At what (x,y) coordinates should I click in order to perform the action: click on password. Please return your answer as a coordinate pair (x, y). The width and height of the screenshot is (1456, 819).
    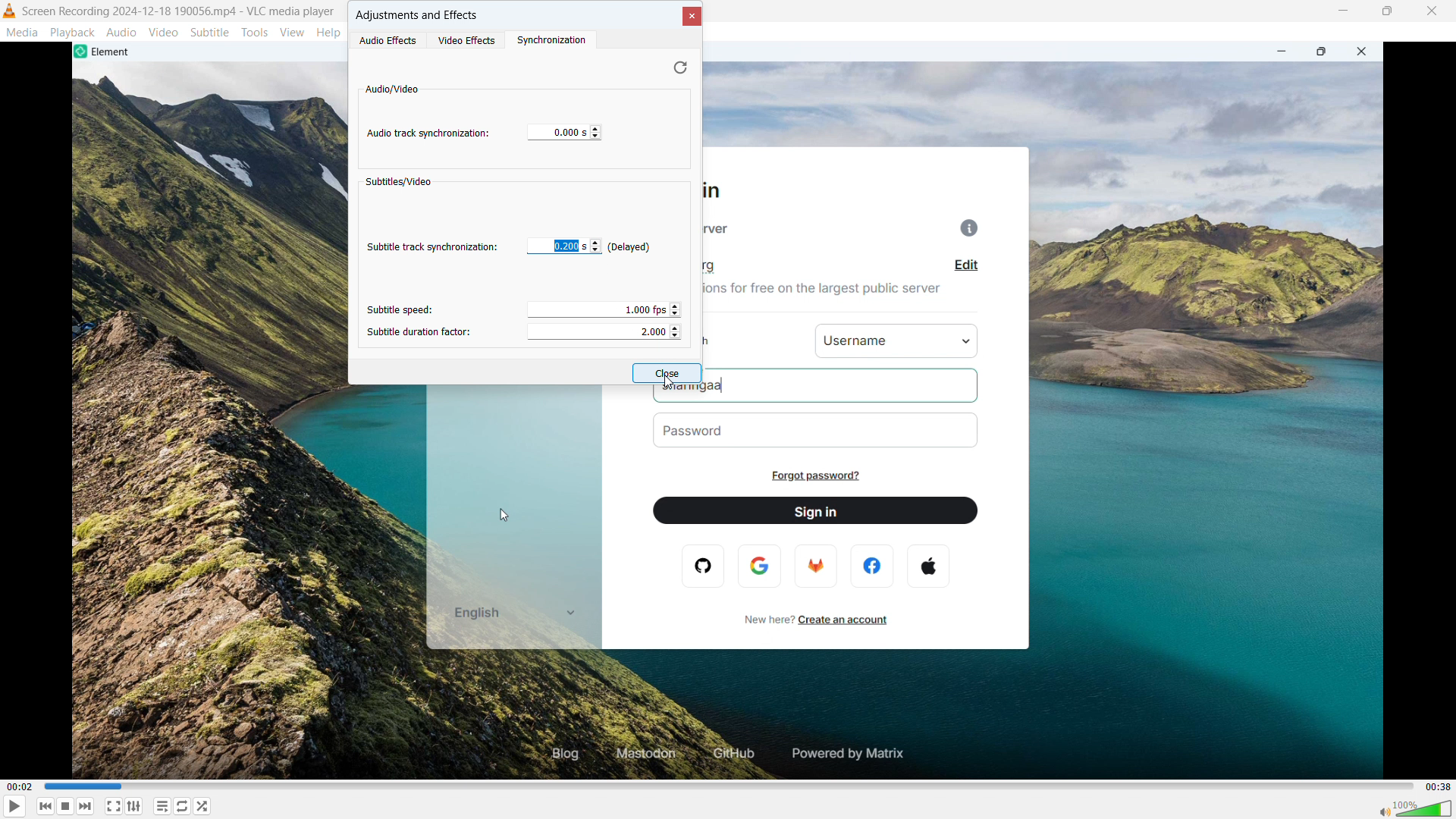
    Looking at the image, I should click on (820, 430).